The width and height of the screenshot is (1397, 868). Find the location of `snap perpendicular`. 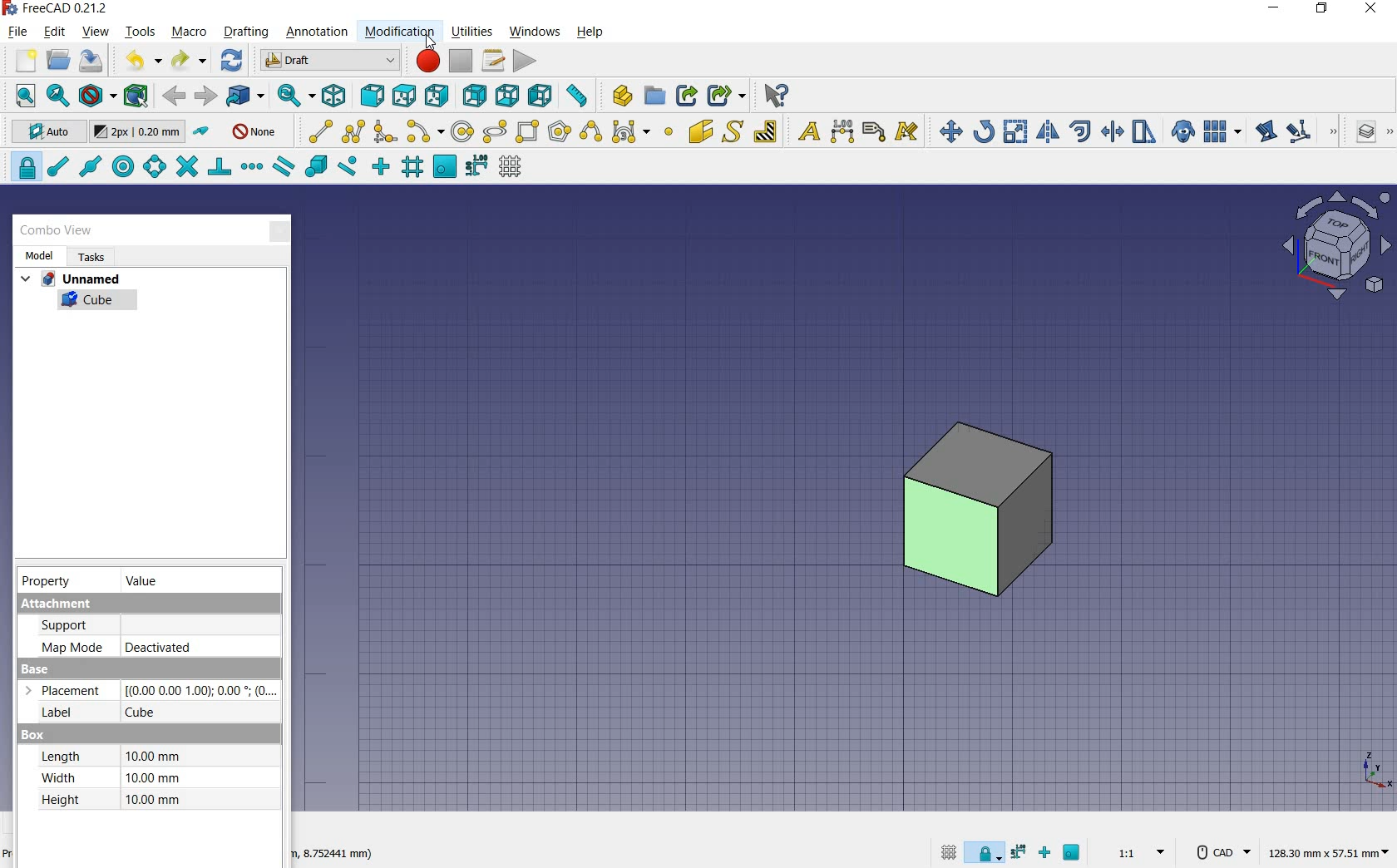

snap perpendicular is located at coordinates (220, 167).